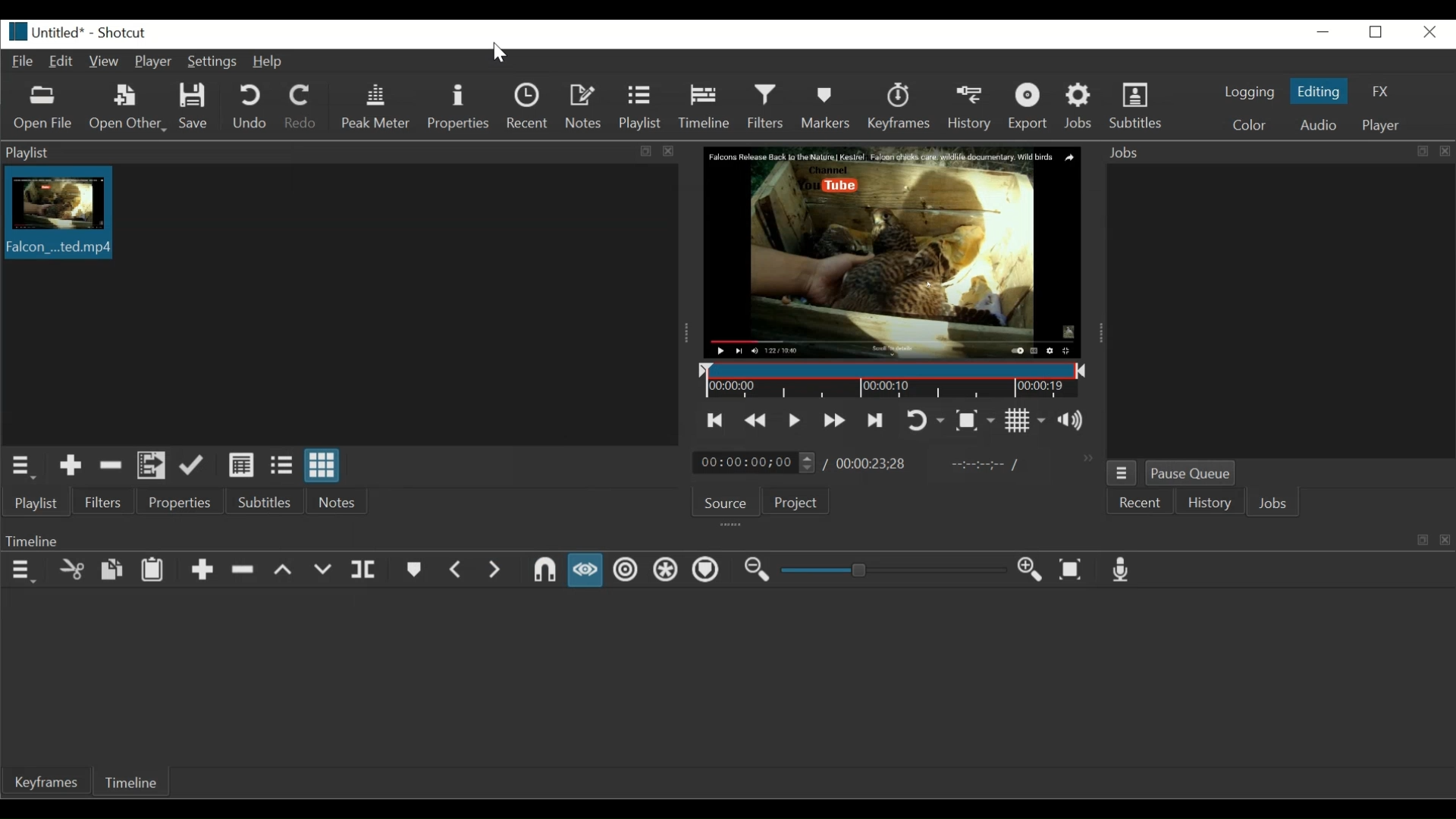 This screenshot has width=1456, height=819. Describe the element at coordinates (1028, 420) in the screenshot. I see `Toggle grid display on the player` at that location.